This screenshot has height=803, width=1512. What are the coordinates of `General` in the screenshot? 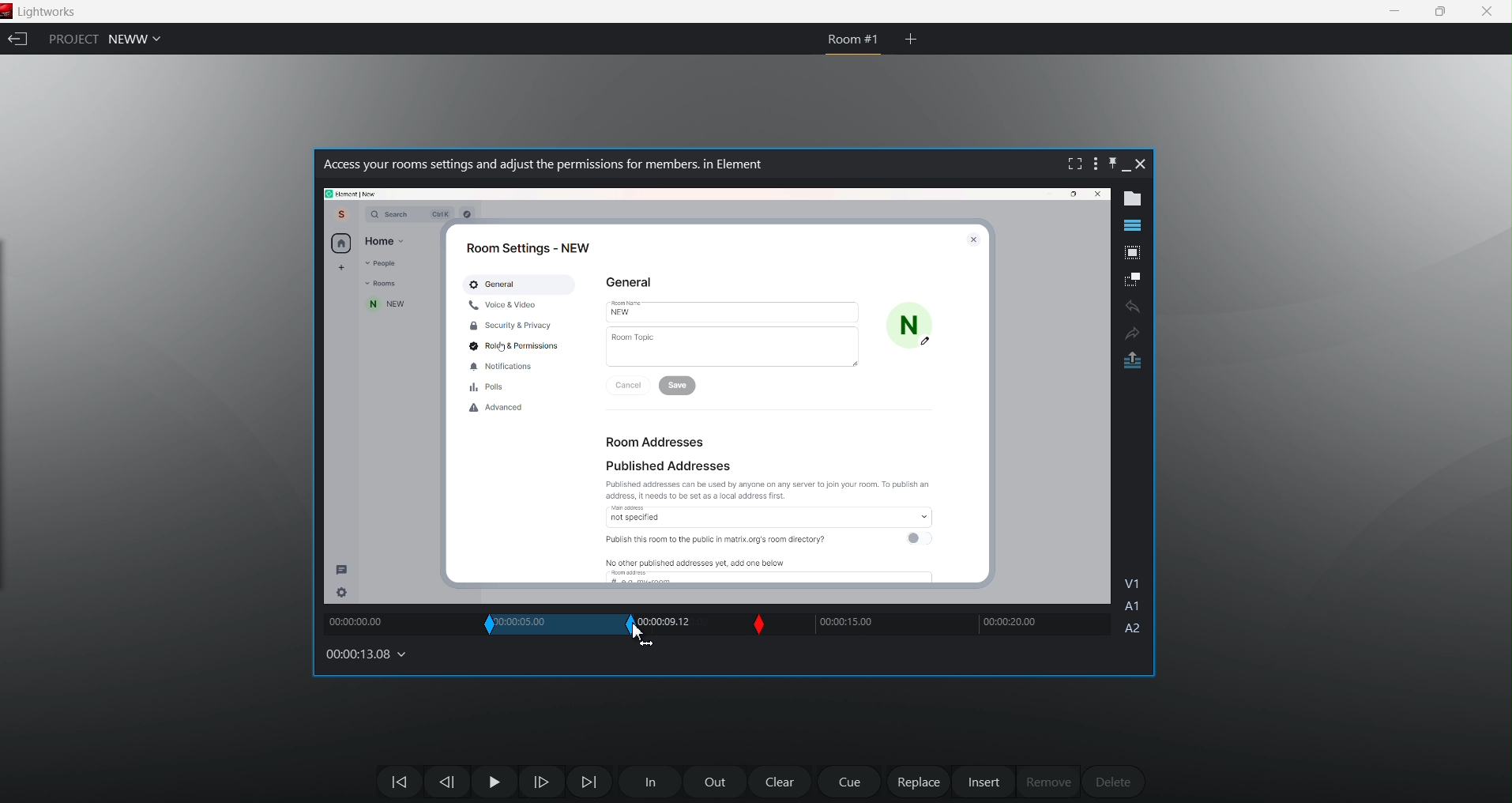 It's located at (631, 282).